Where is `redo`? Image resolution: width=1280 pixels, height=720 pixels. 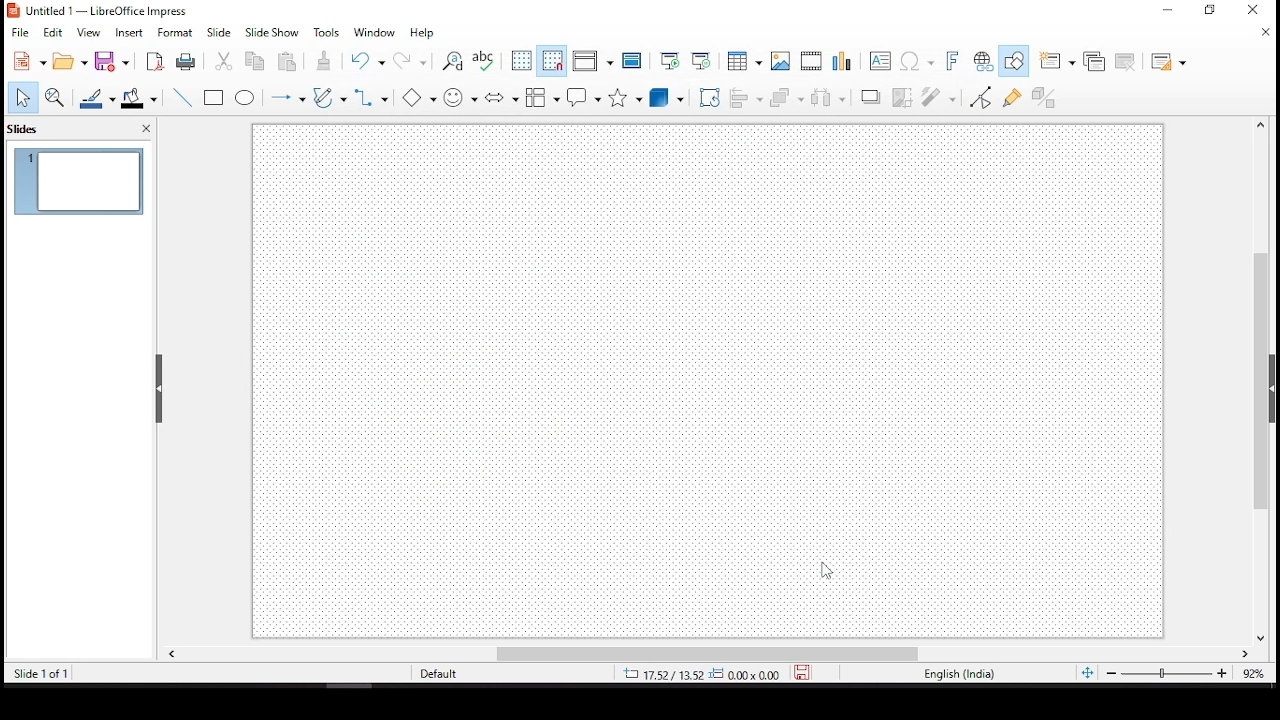 redo is located at coordinates (412, 62).